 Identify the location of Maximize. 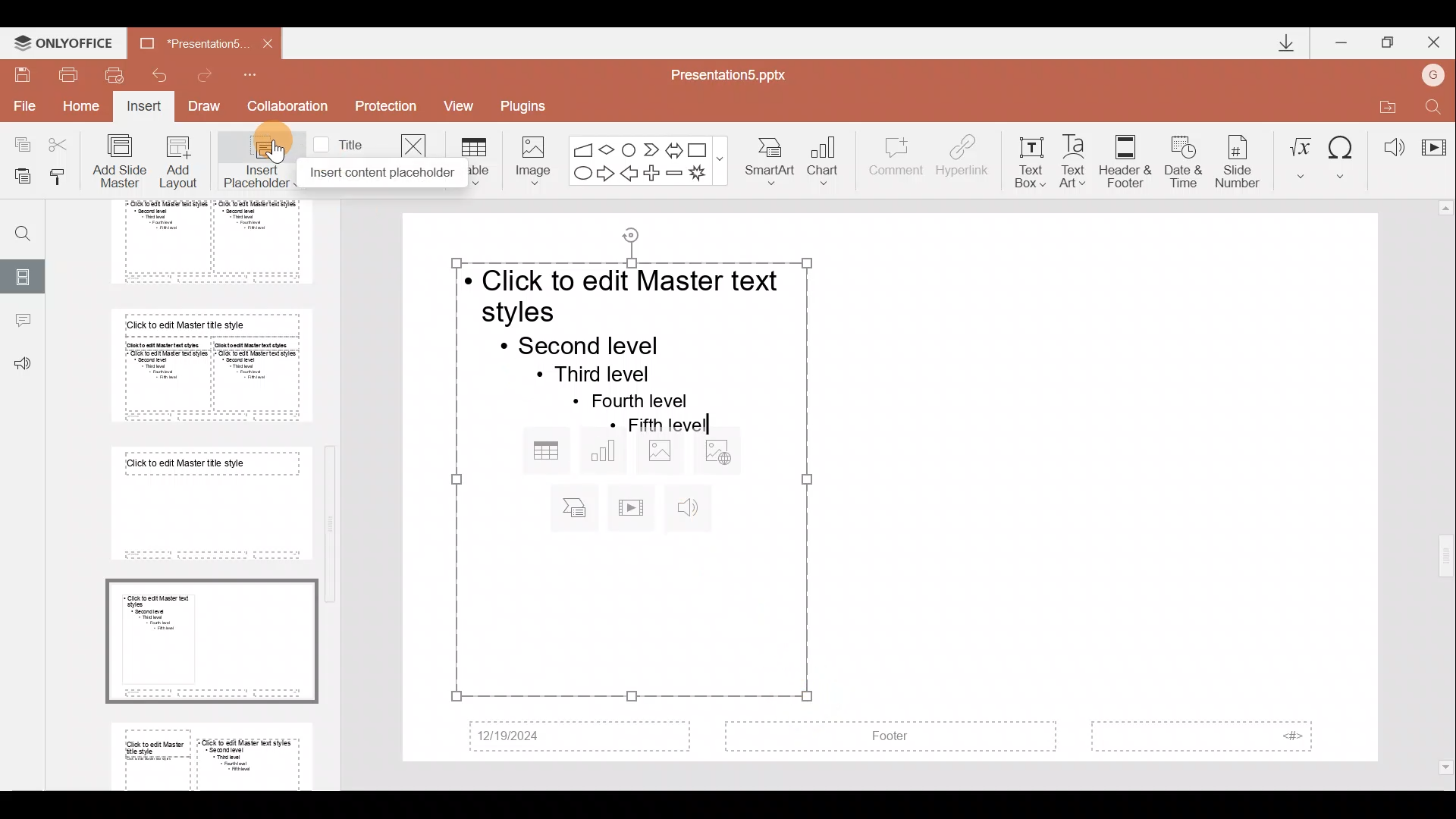
(1389, 40).